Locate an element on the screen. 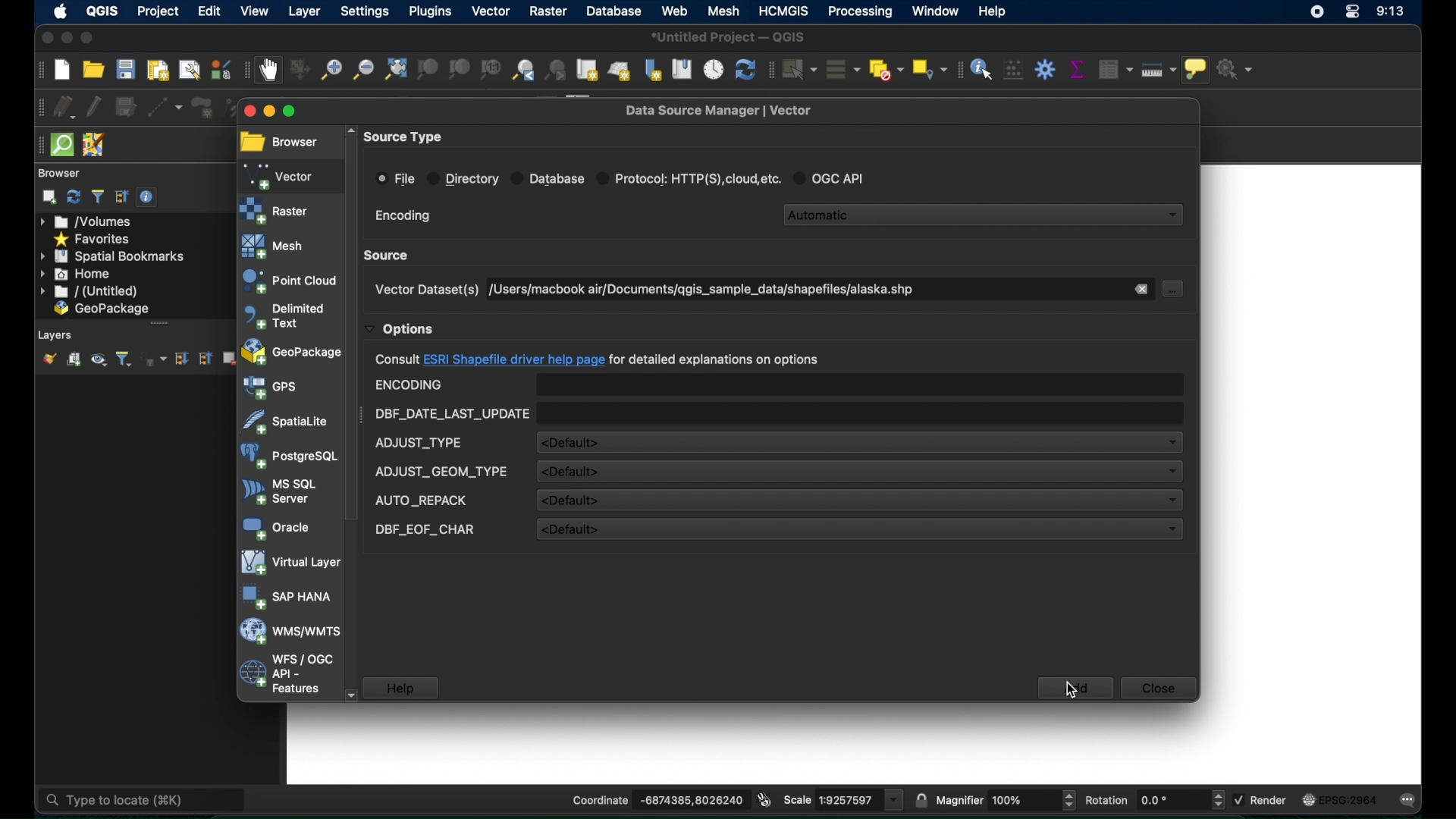 This screenshot has height=819, width=1456. zoom last is located at coordinates (524, 71).